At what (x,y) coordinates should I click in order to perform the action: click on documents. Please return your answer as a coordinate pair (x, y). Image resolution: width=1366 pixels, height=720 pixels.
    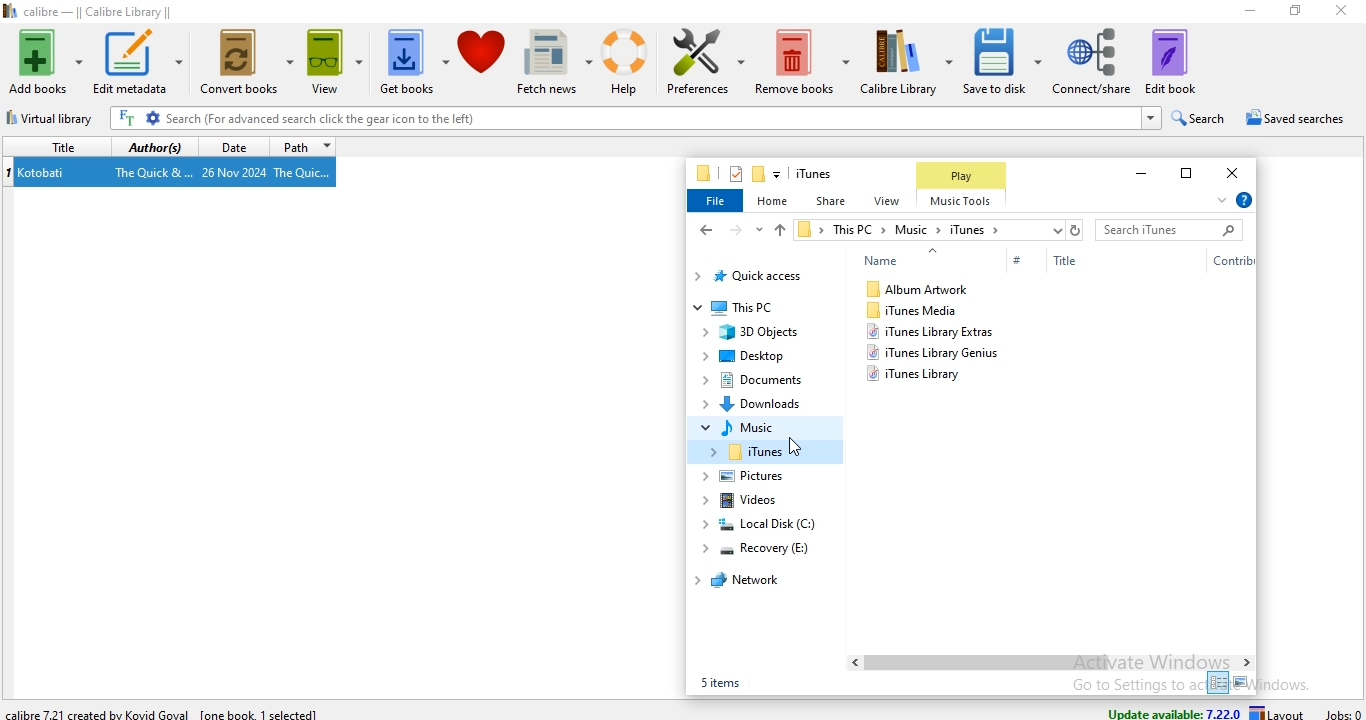
    Looking at the image, I should click on (759, 381).